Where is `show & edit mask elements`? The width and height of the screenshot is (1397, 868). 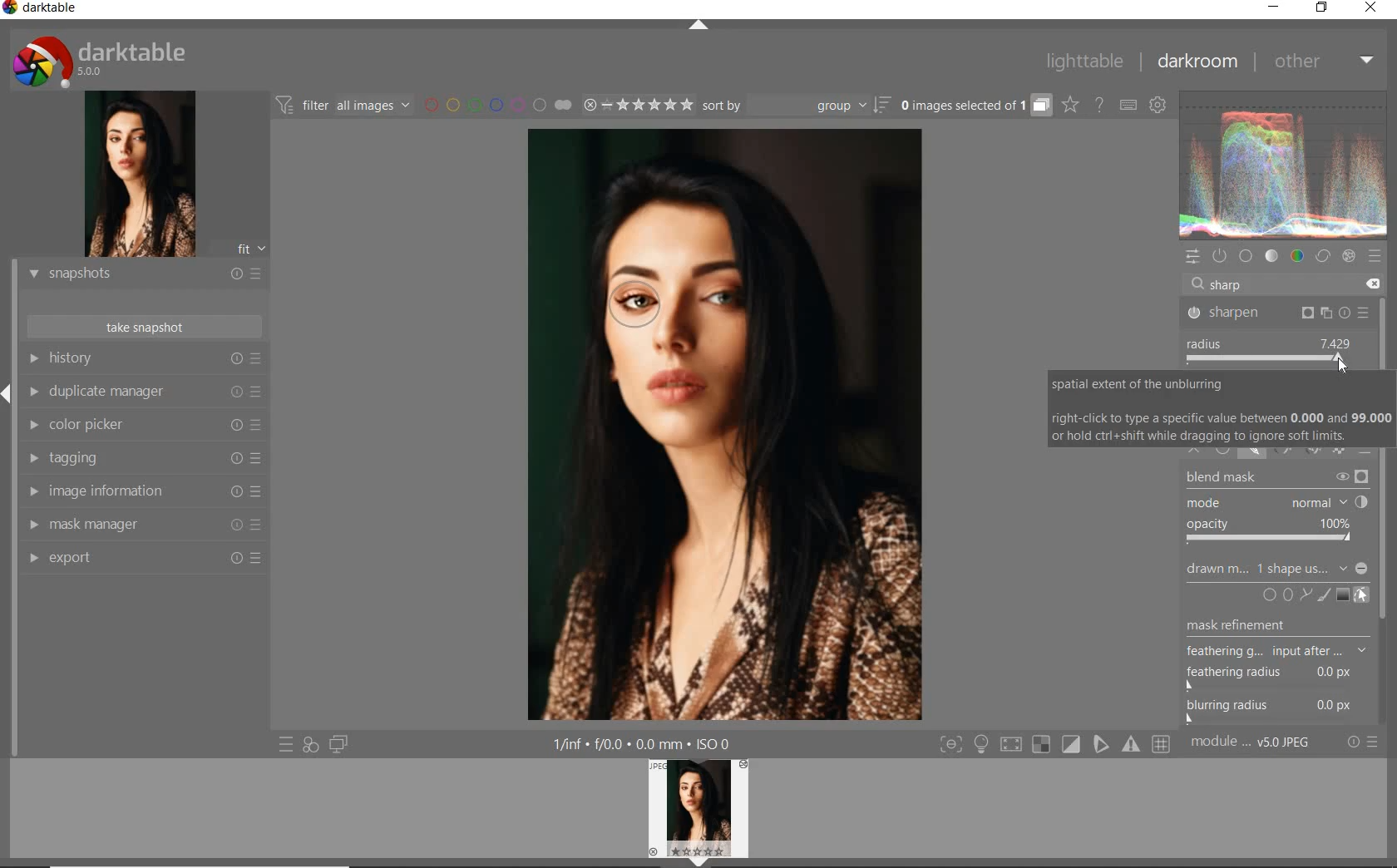 show & edit mask elements is located at coordinates (1362, 595).